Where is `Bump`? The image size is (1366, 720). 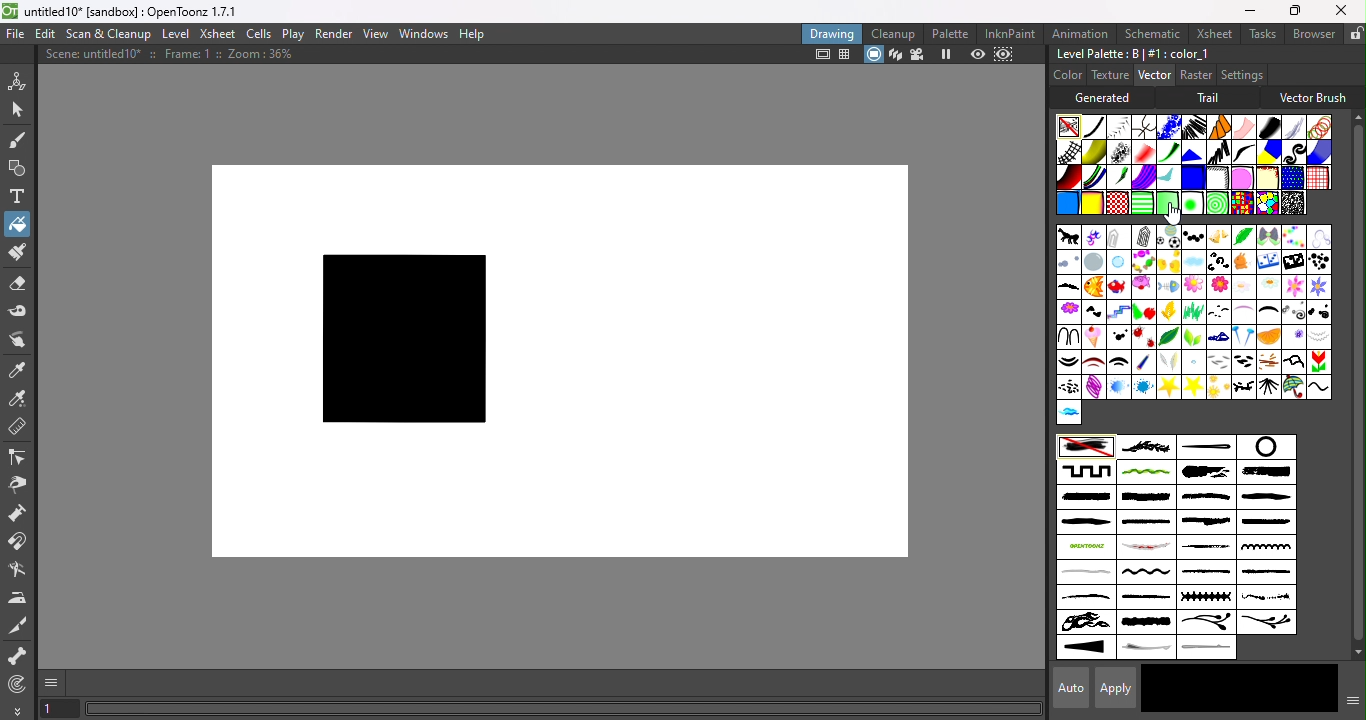 Bump is located at coordinates (1094, 152).